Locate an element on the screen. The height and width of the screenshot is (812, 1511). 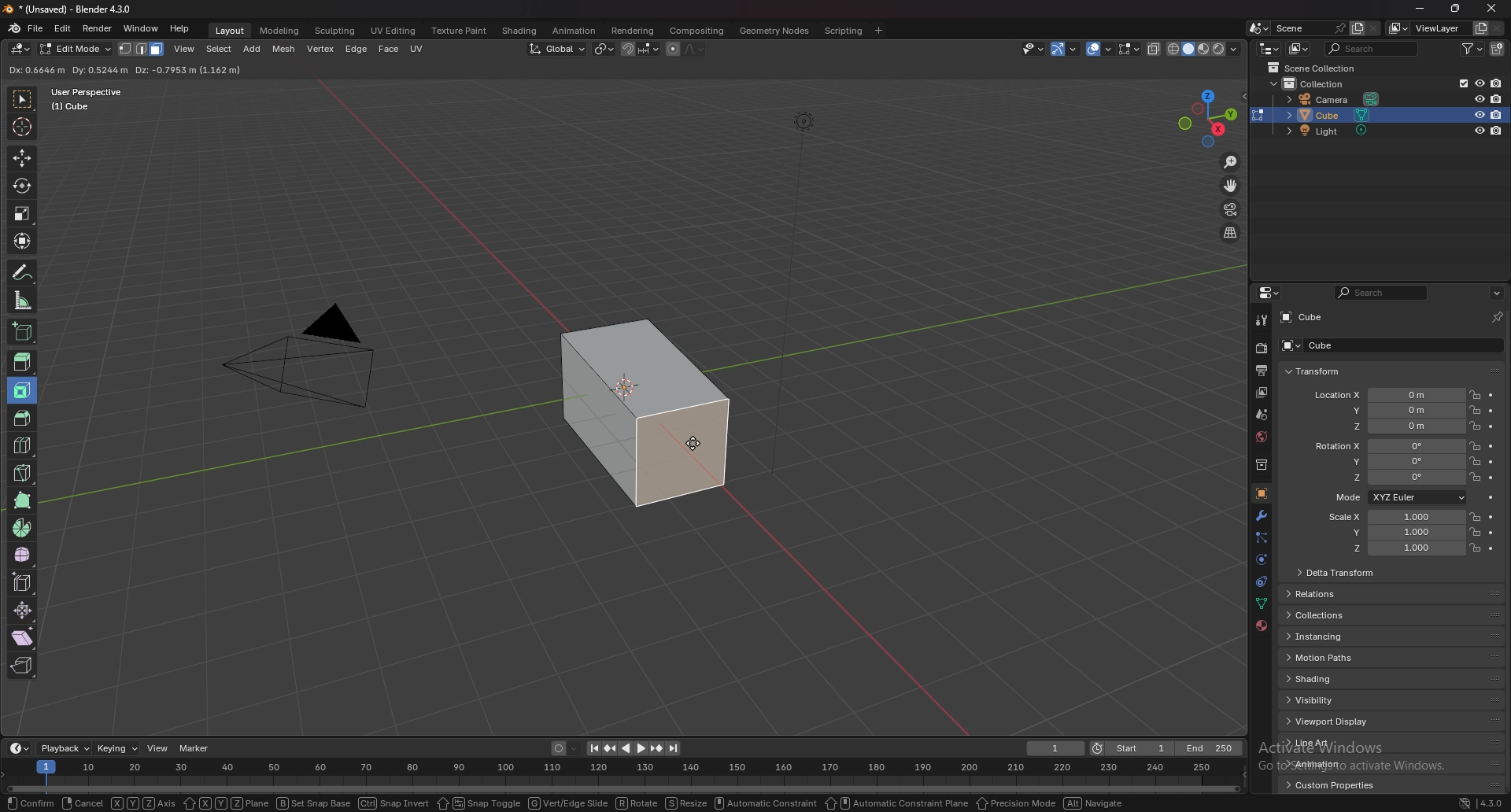
current frame is located at coordinates (1056, 748).